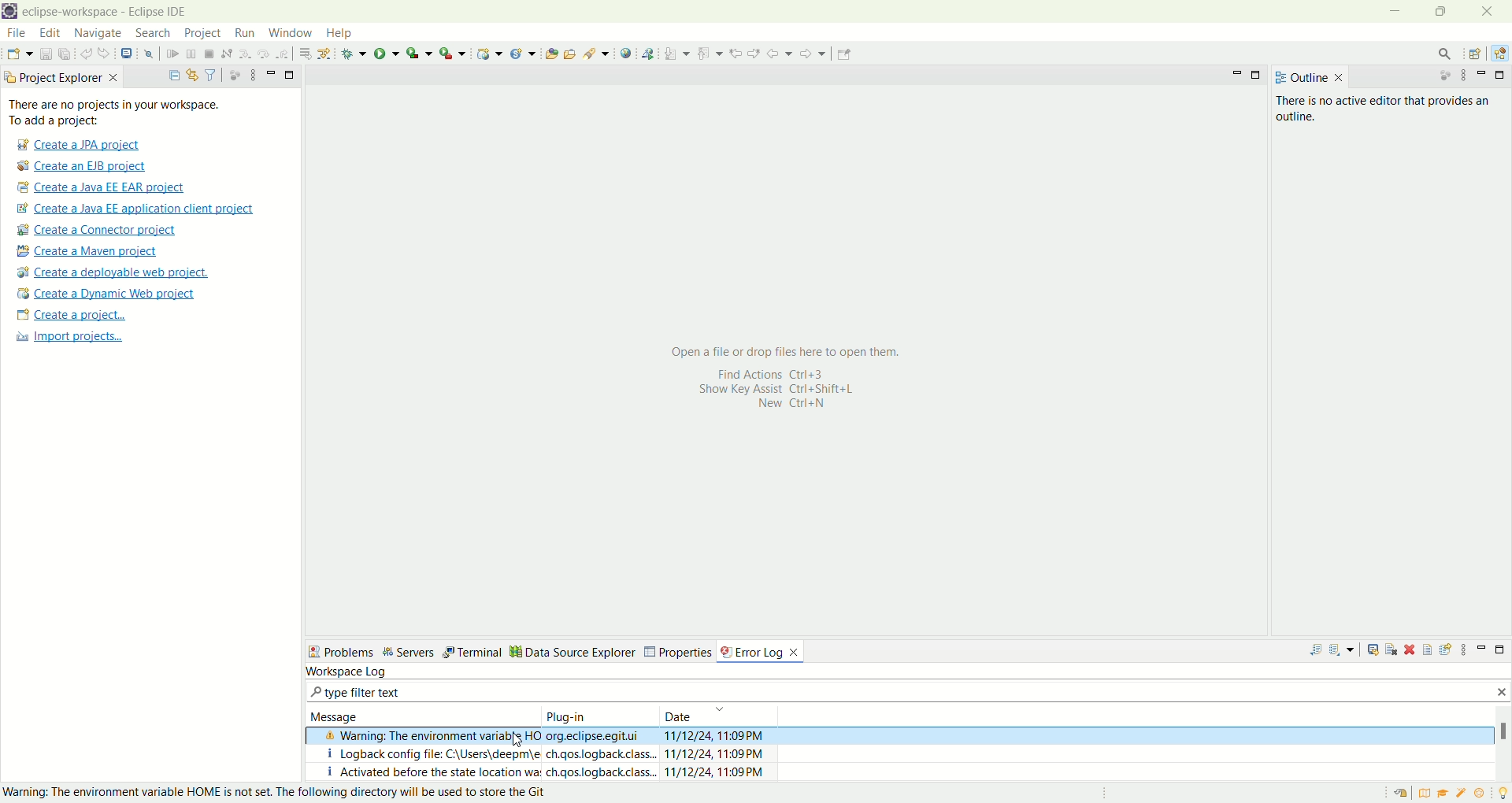  What do you see at coordinates (85, 52) in the screenshot?
I see `undo` at bounding box center [85, 52].